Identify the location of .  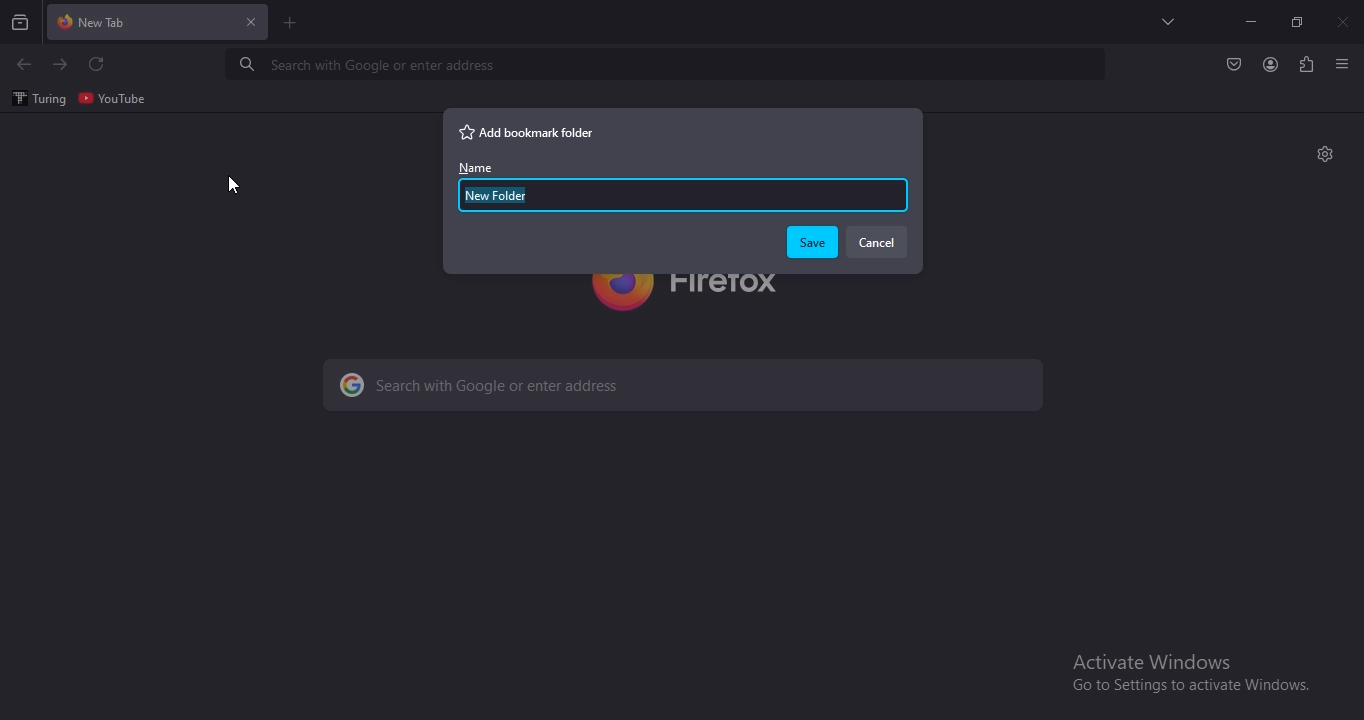
(1234, 65).